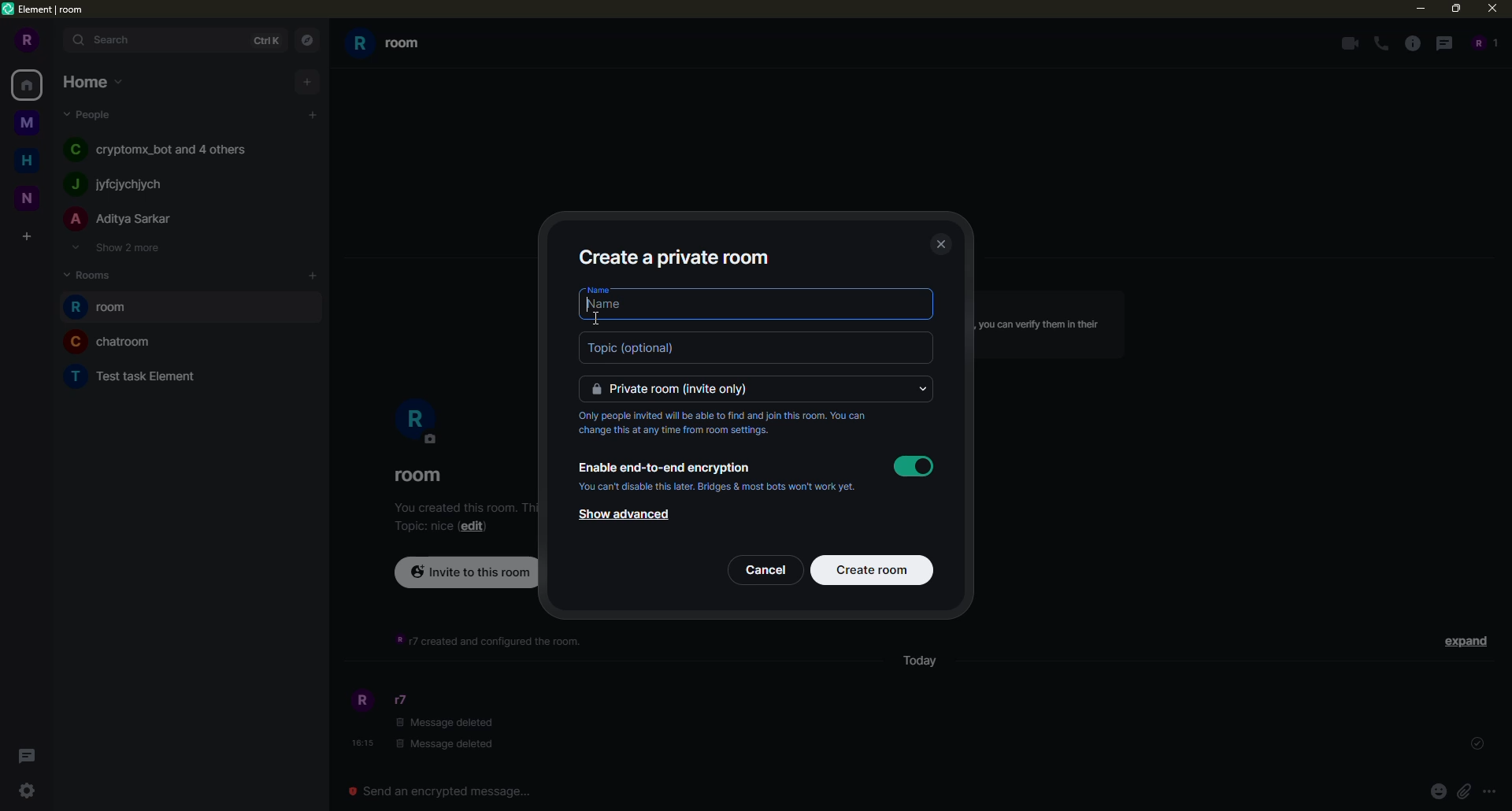 This screenshot has height=811, width=1512. What do you see at coordinates (123, 183) in the screenshot?
I see `people` at bounding box center [123, 183].